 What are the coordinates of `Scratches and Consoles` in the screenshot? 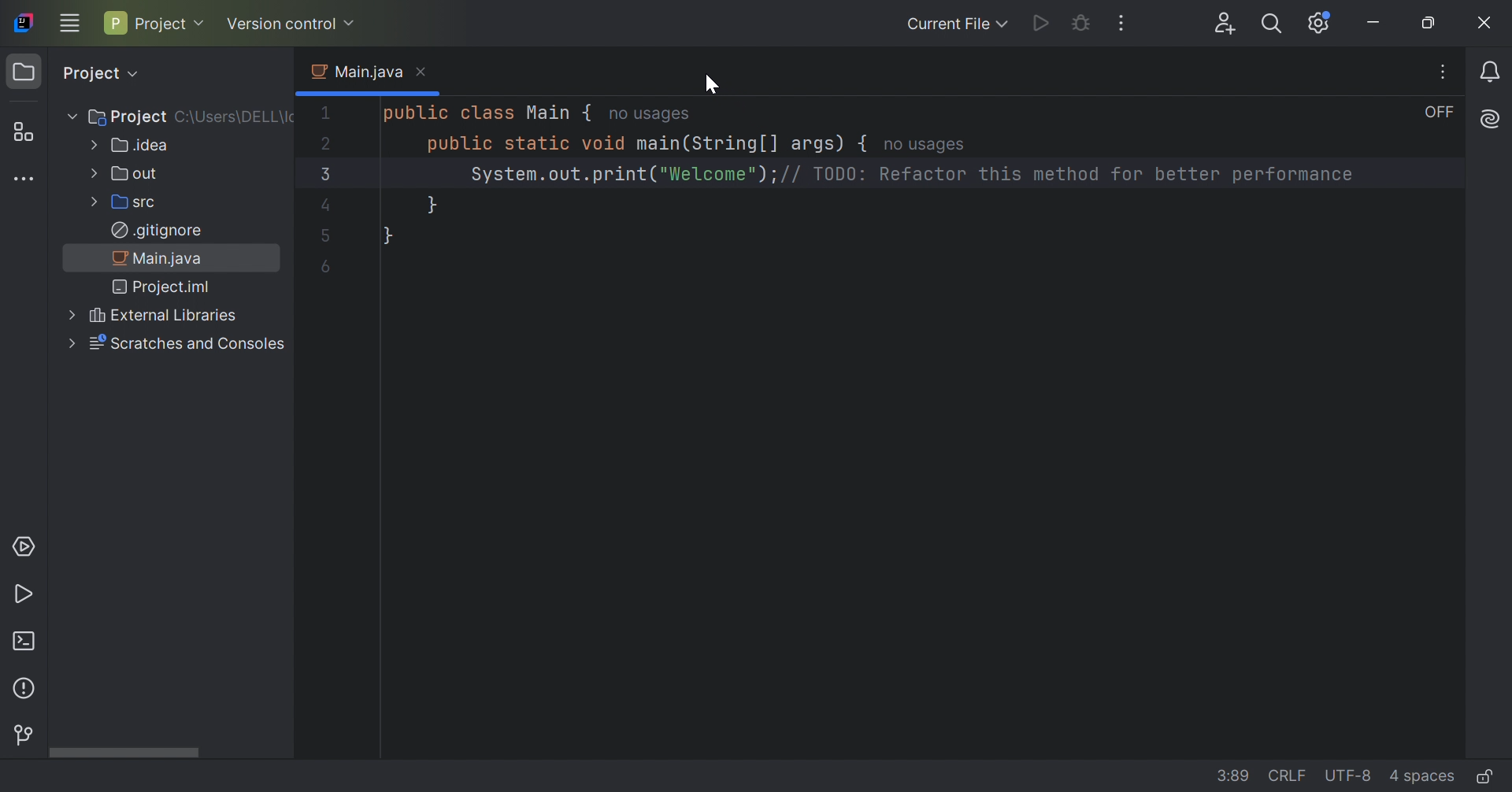 It's located at (174, 343).